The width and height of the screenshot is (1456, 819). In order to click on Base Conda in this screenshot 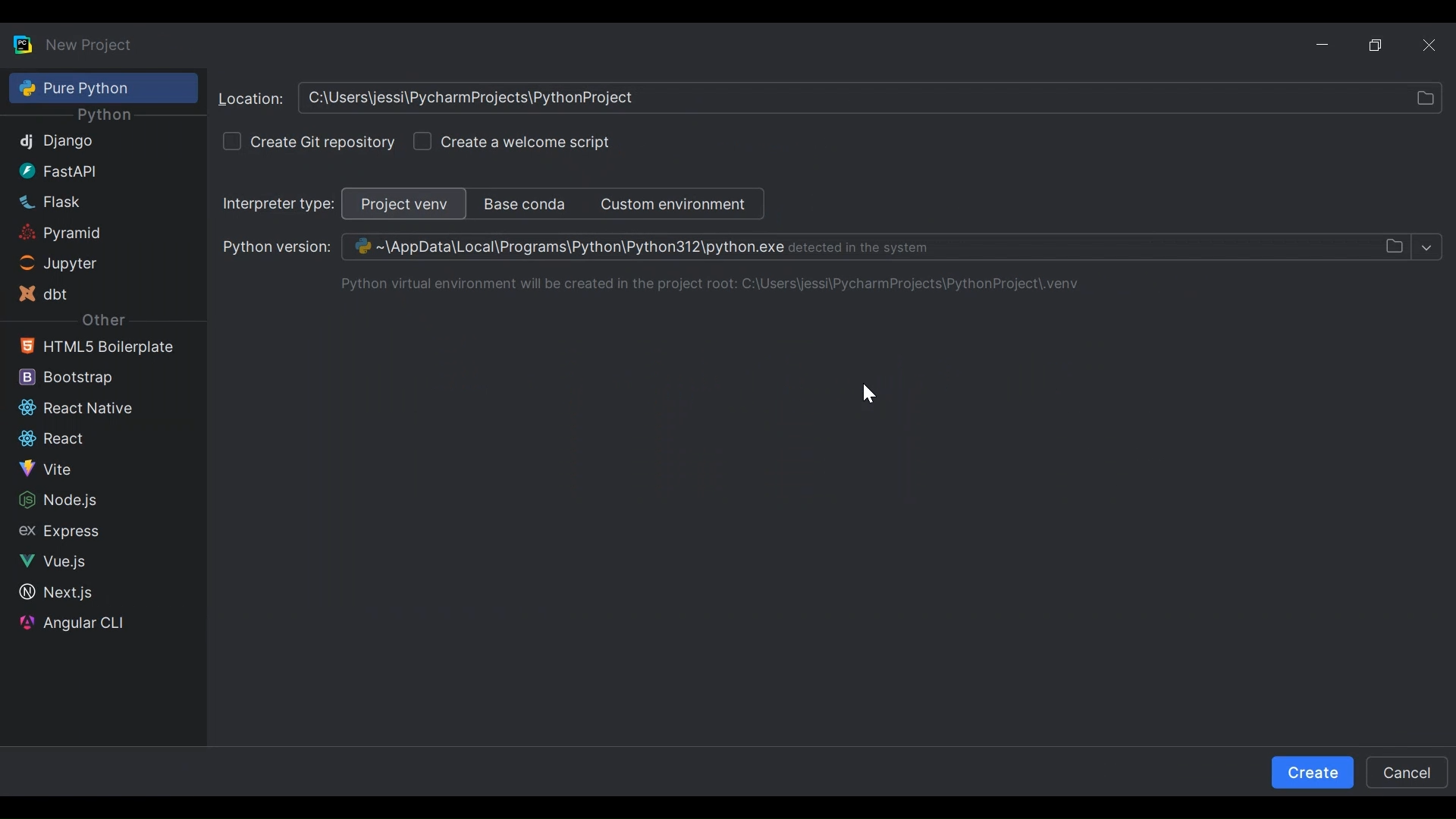, I will do `click(526, 204)`.